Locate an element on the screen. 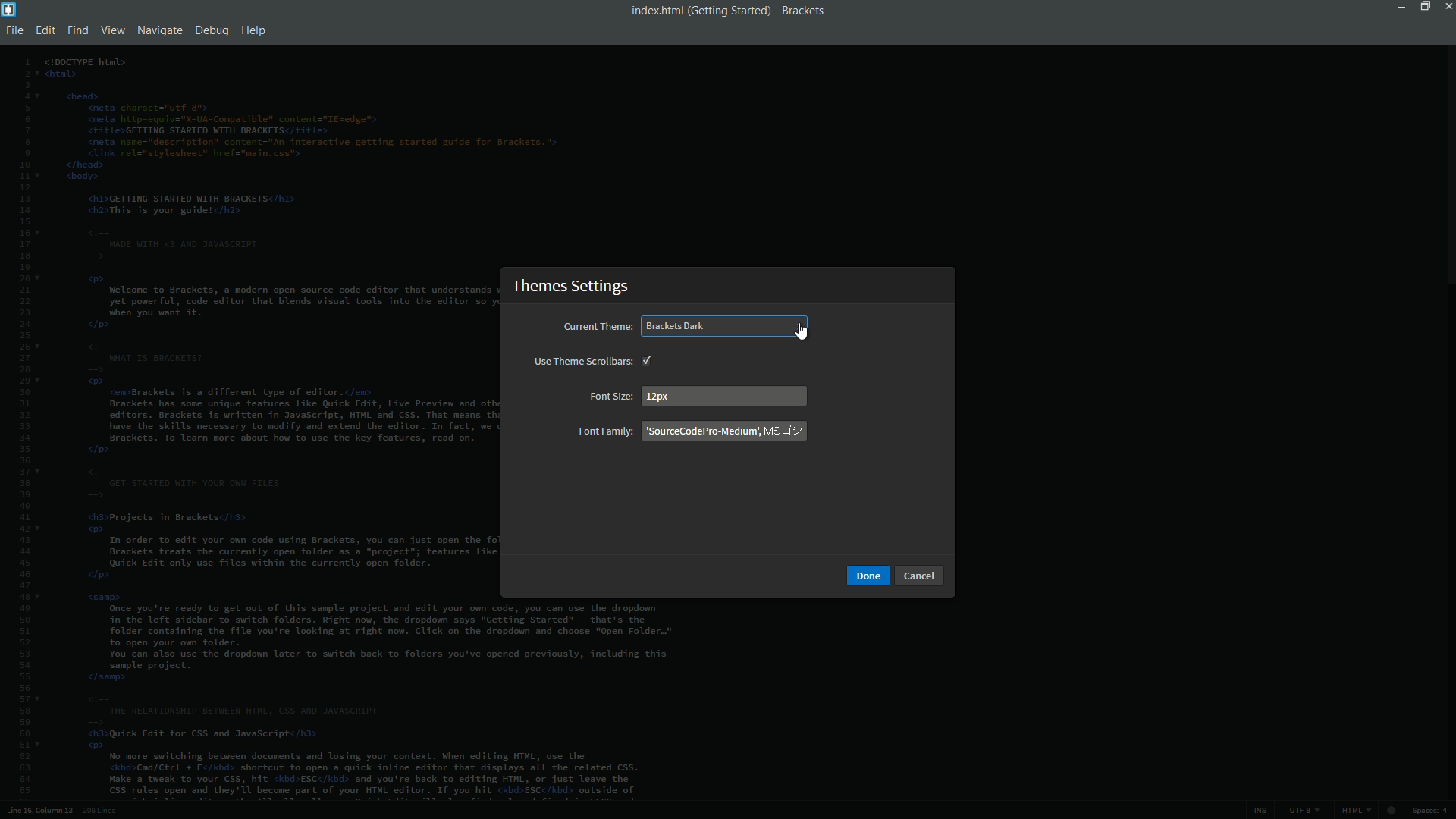 The width and height of the screenshot is (1456, 819). file code is located at coordinates (268, 427).